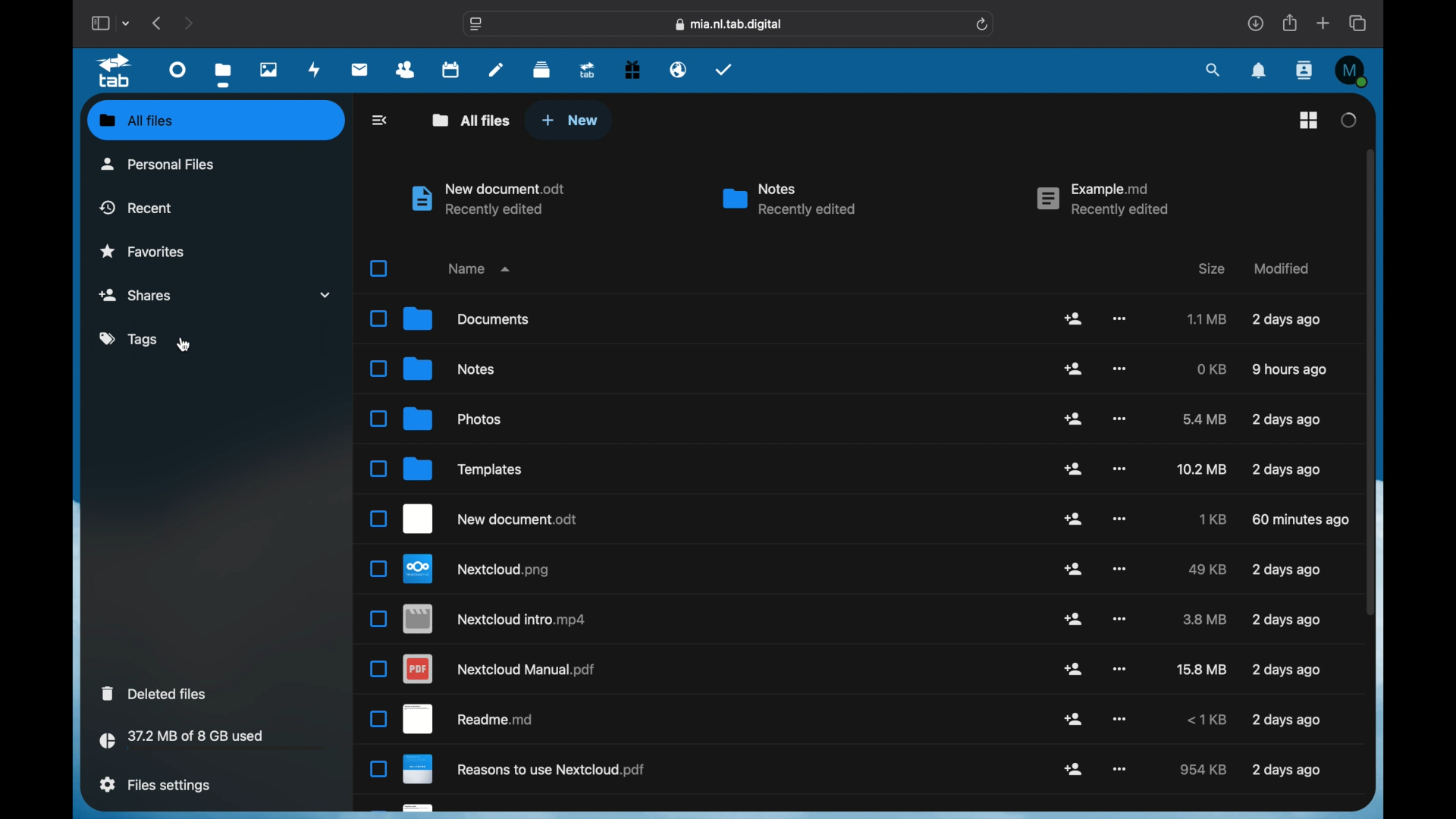  Describe the element at coordinates (1119, 569) in the screenshot. I see `more options` at that location.